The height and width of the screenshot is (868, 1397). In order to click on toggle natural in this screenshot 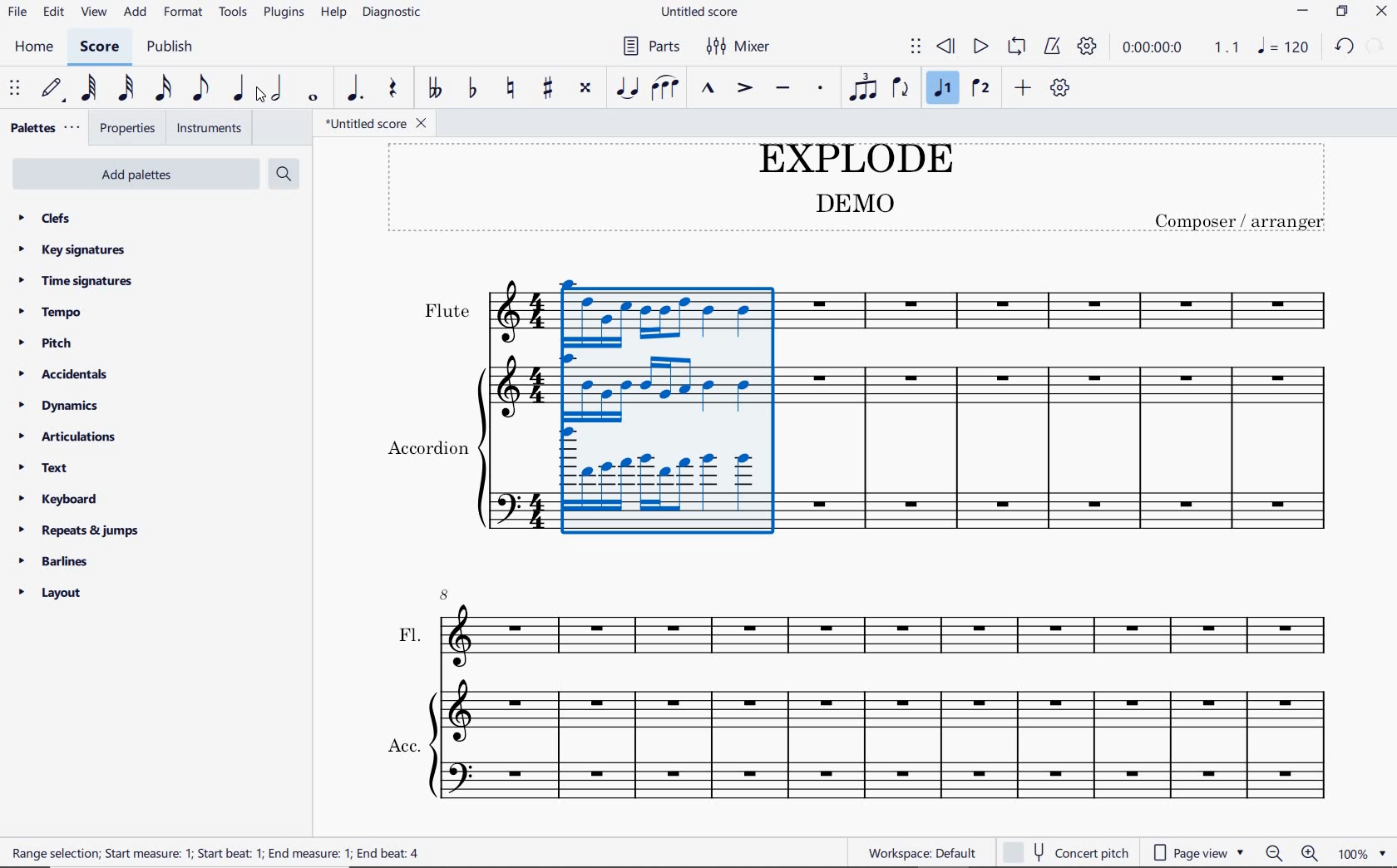, I will do `click(511, 89)`.